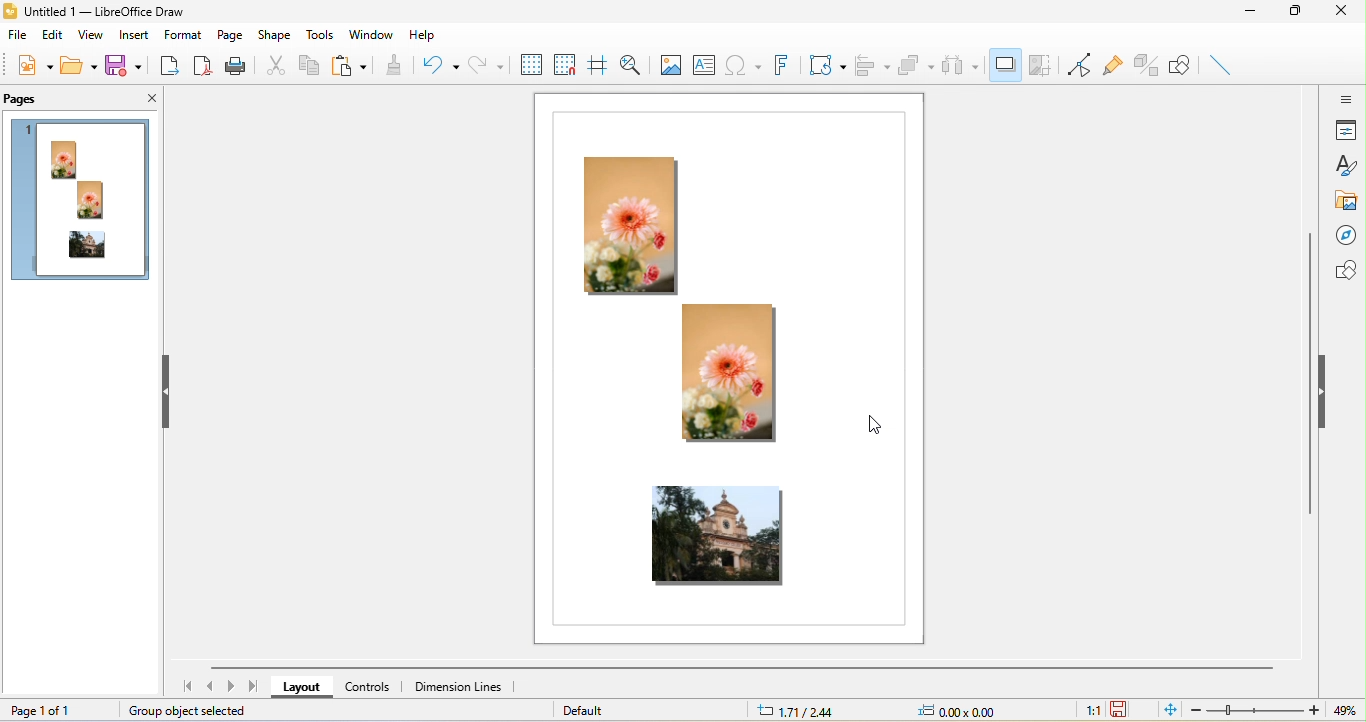  What do you see at coordinates (826, 63) in the screenshot?
I see `transformation` at bounding box center [826, 63].